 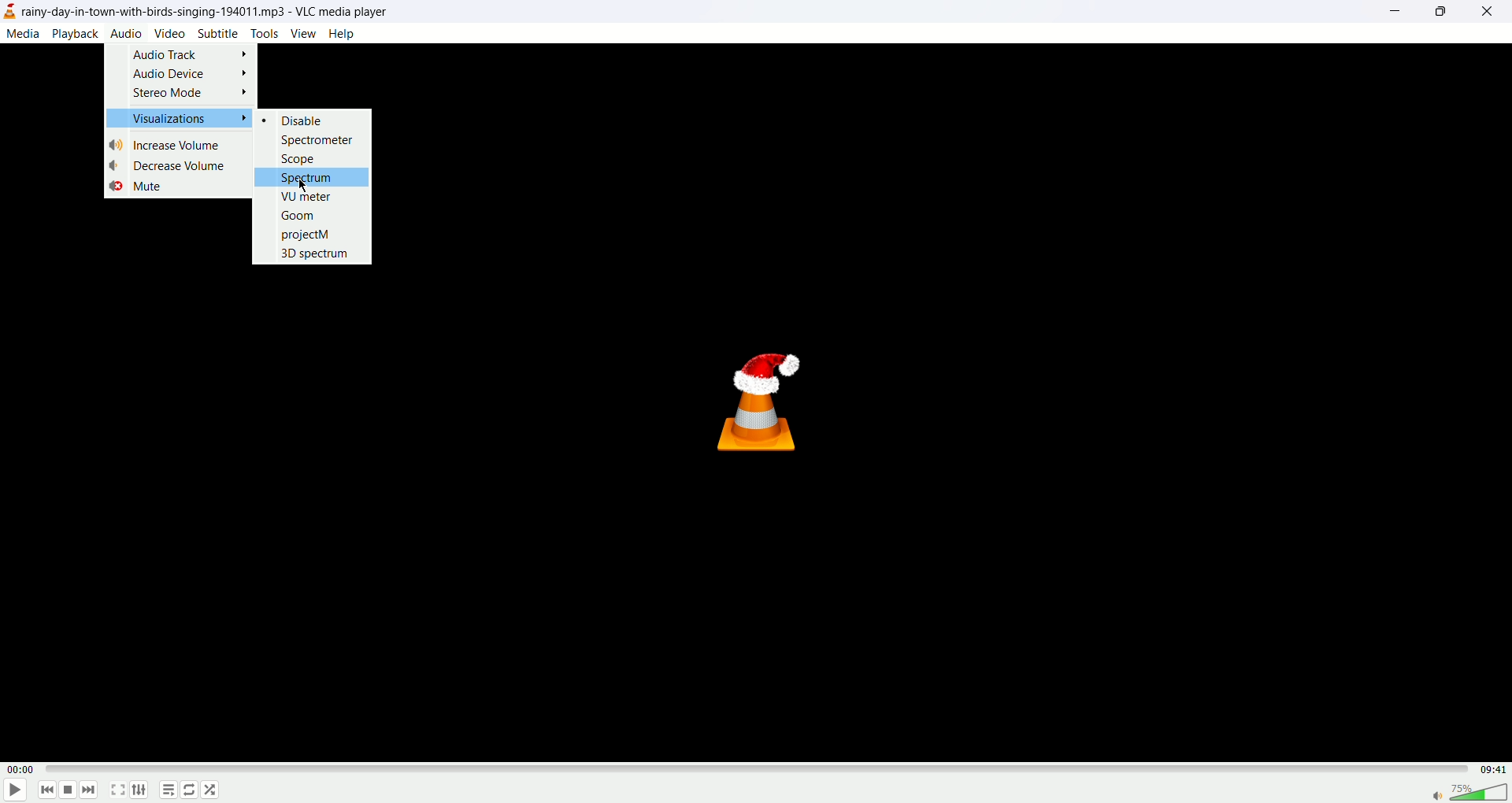 What do you see at coordinates (306, 234) in the screenshot?
I see `projectM` at bounding box center [306, 234].